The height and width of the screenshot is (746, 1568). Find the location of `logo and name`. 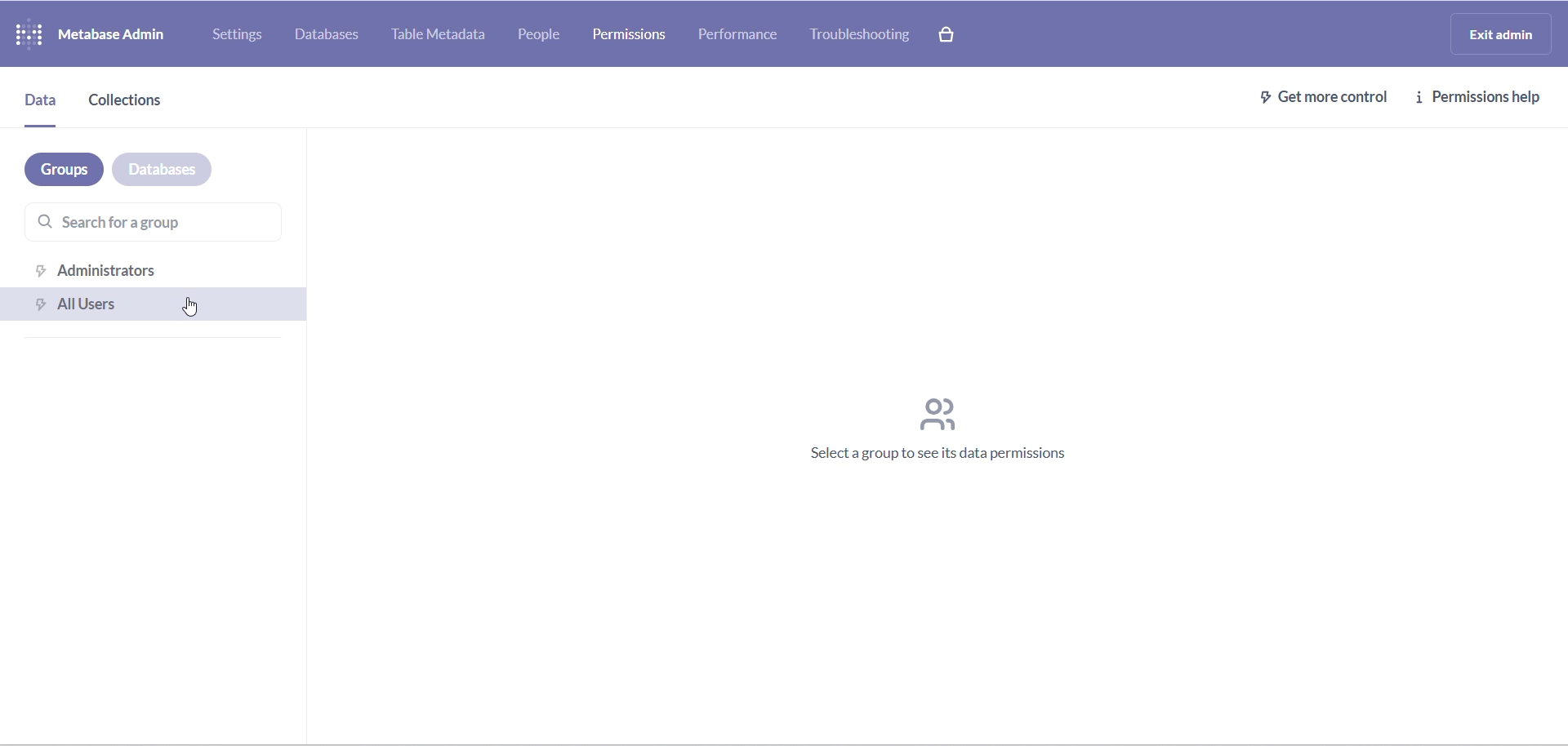

logo and name is located at coordinates (95, 33).